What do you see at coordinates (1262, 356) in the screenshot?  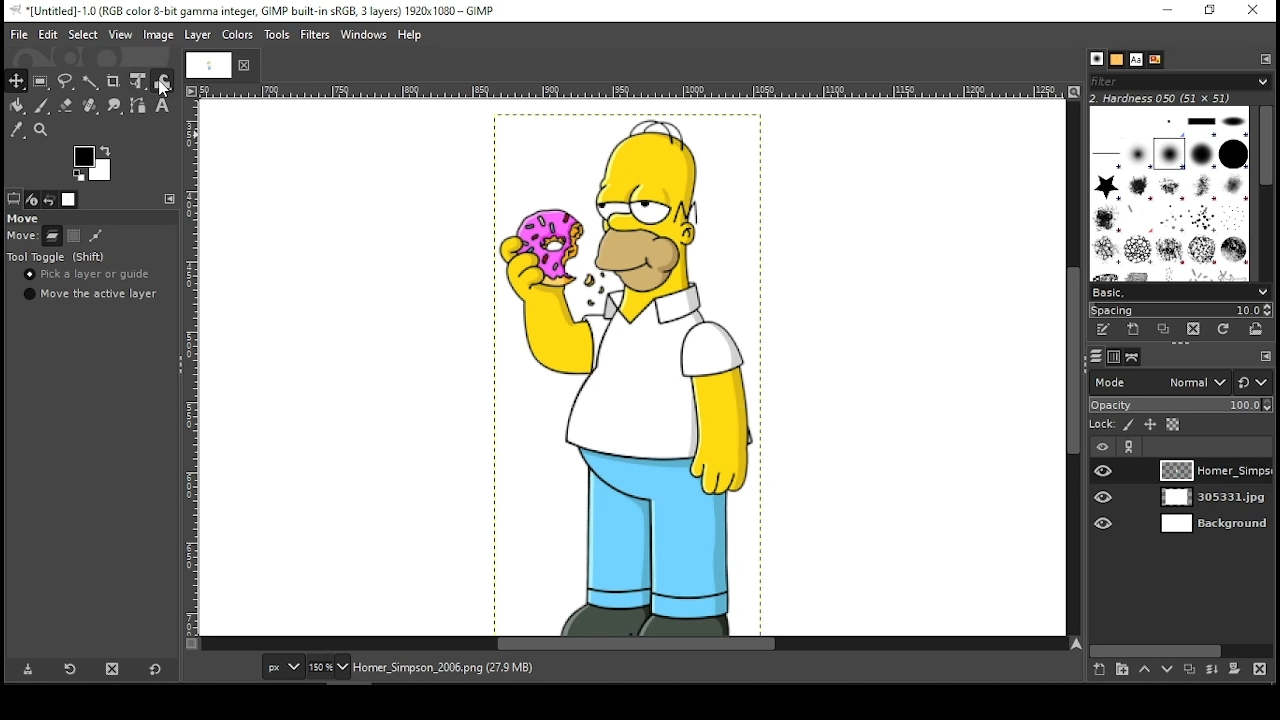 I see `edit toolbar` at bounding box center [1262, 356].